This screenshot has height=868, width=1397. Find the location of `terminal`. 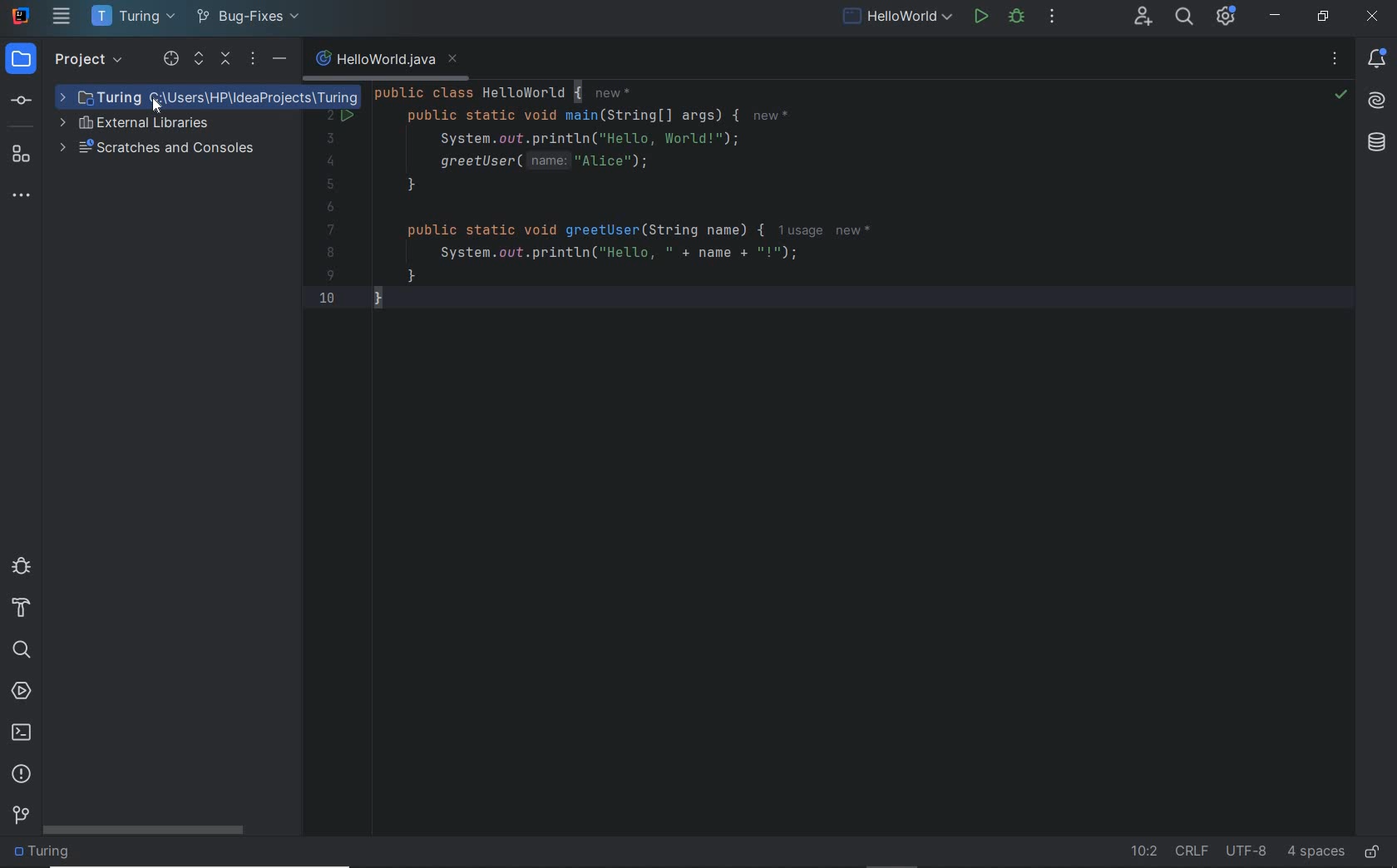

terminal is located at coordinates (22, 732).